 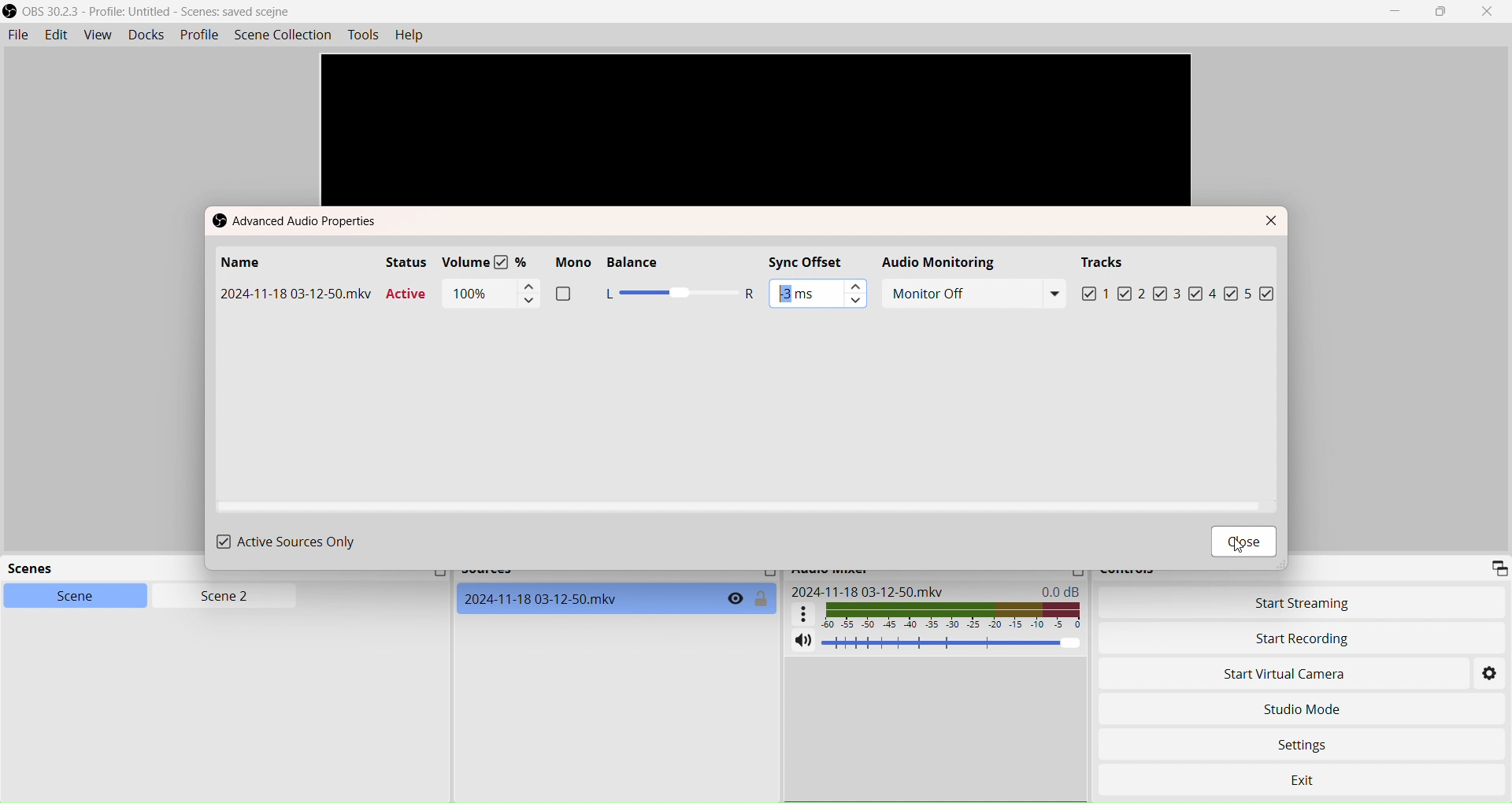 I want to click on Increment, so click(x=528, y=286).